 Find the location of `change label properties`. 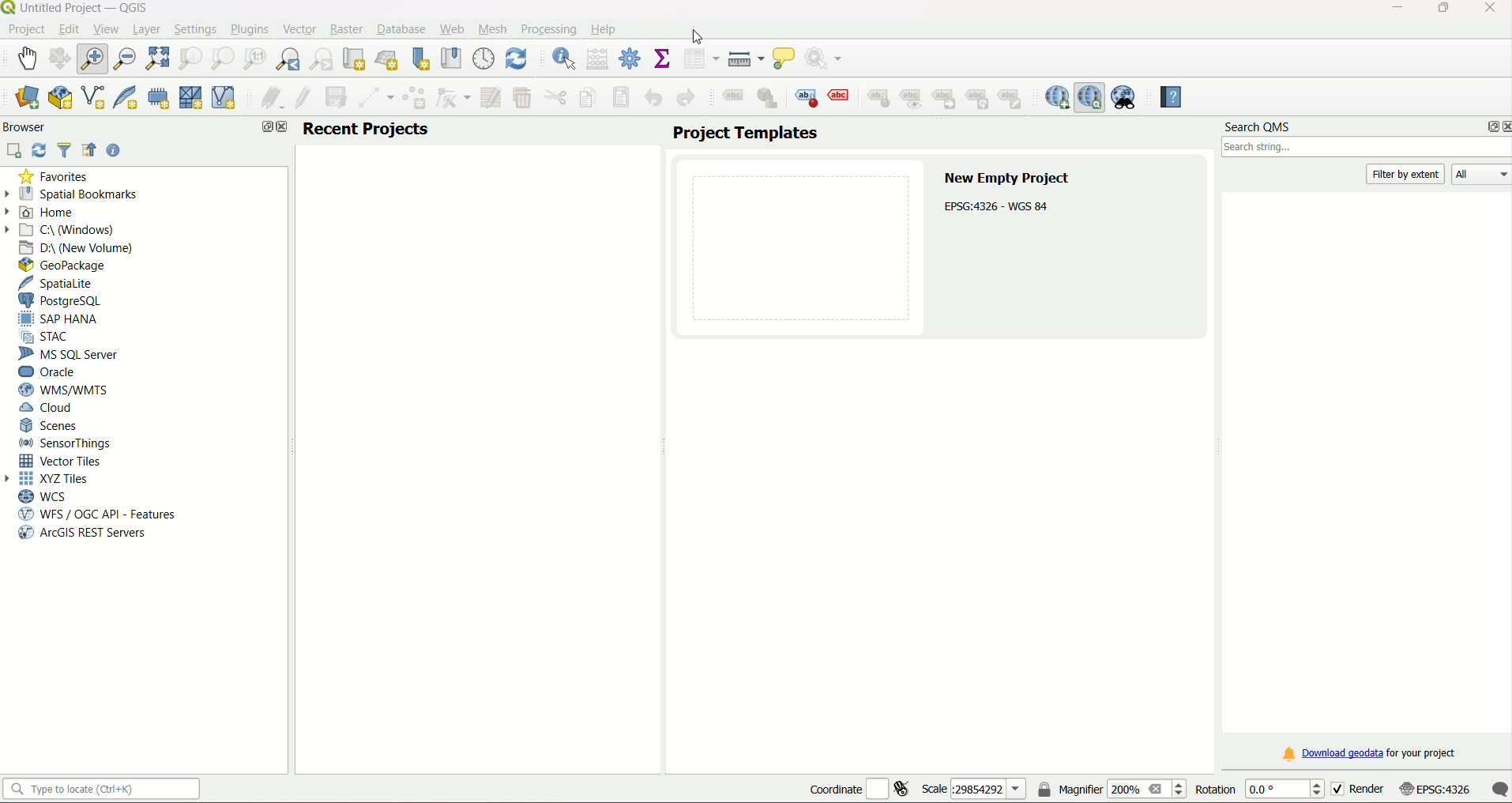

change label properties is located at coordinates (1014, 102).